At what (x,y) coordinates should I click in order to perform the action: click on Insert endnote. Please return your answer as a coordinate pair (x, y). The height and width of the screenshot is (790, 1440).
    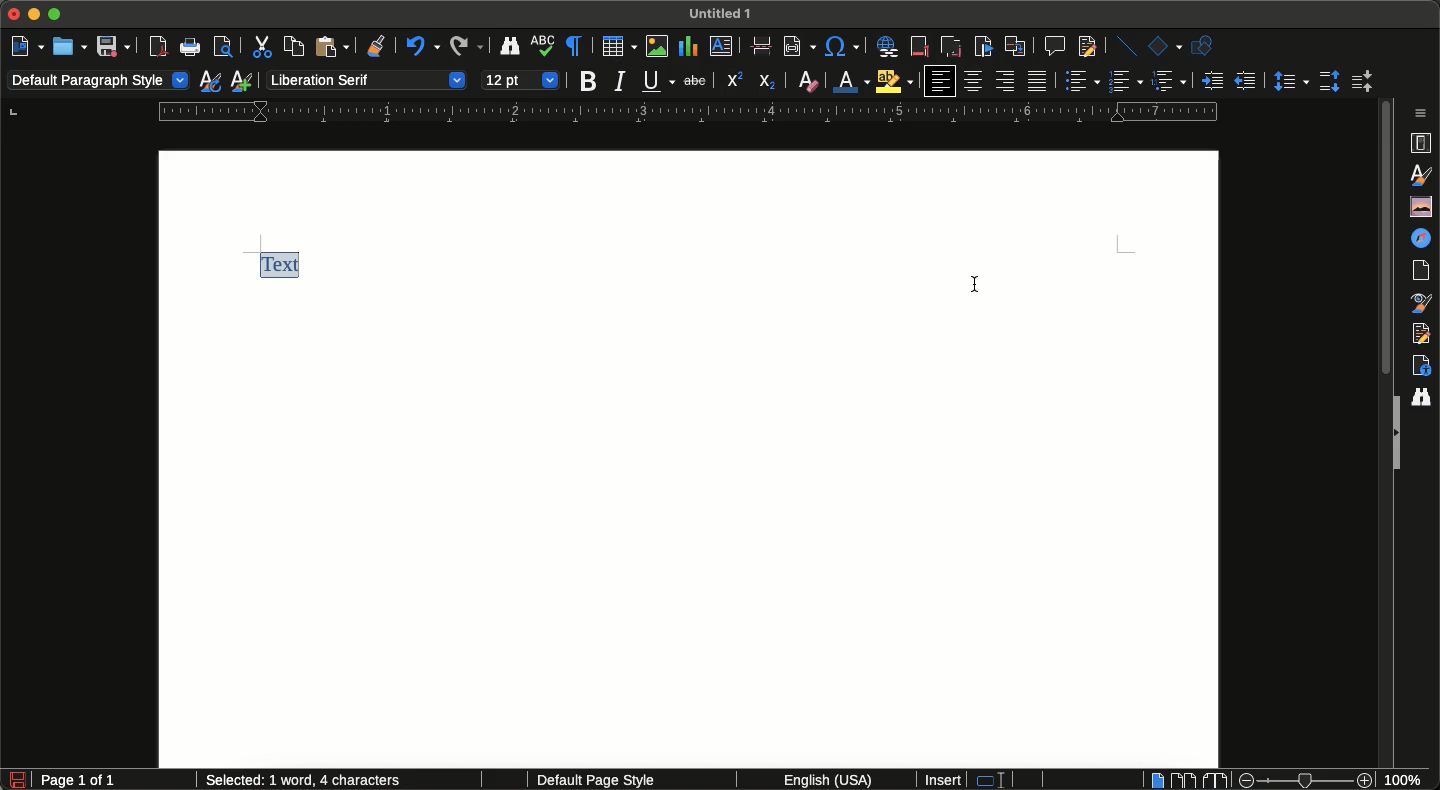
    Looking at the image, I should click on (949, 45).